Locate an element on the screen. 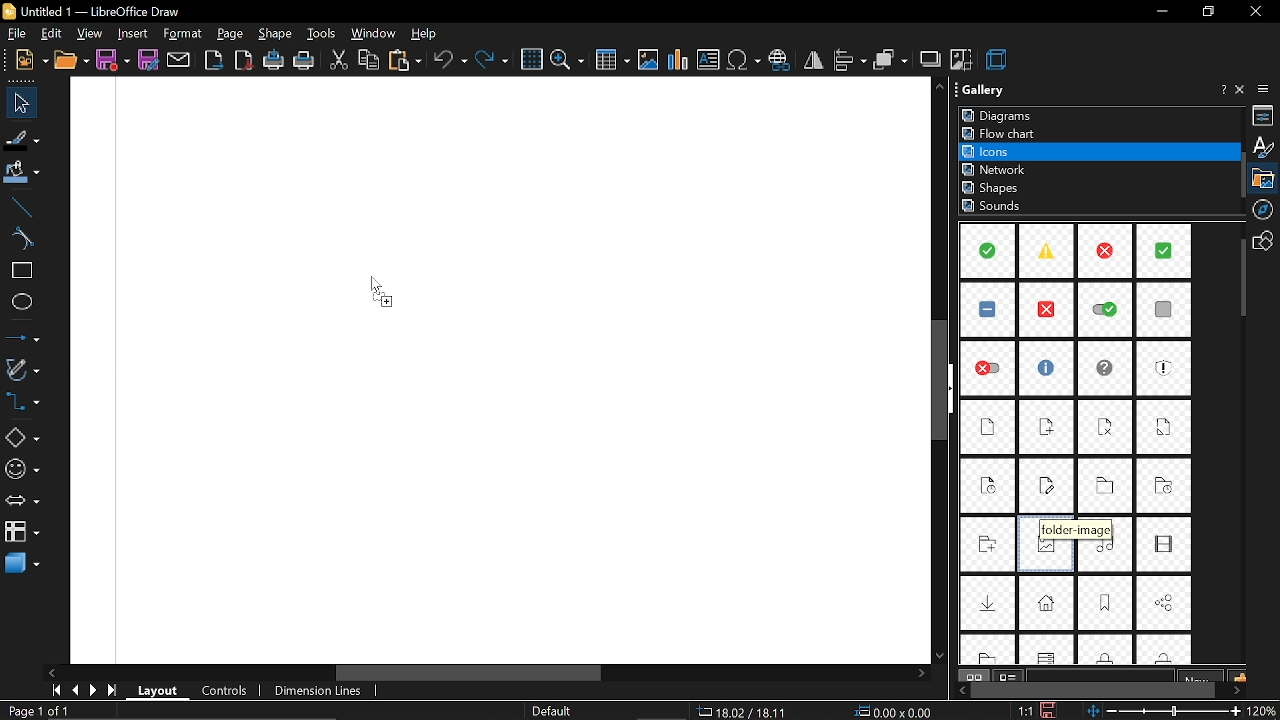 The width and height of the screenshot is (1280, 720). new is located at coordinates (25, 59).